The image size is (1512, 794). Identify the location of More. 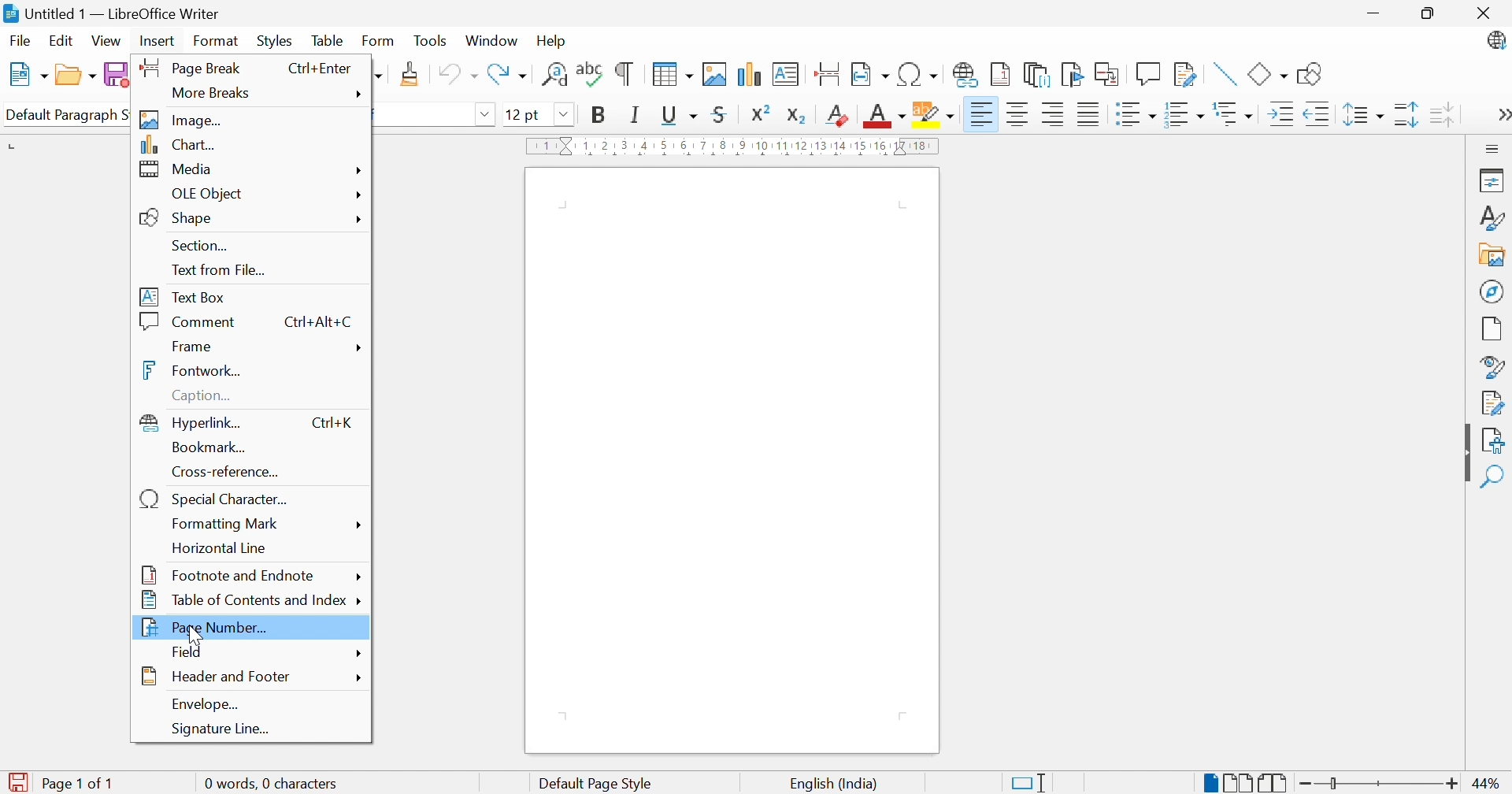
(1501, 115).